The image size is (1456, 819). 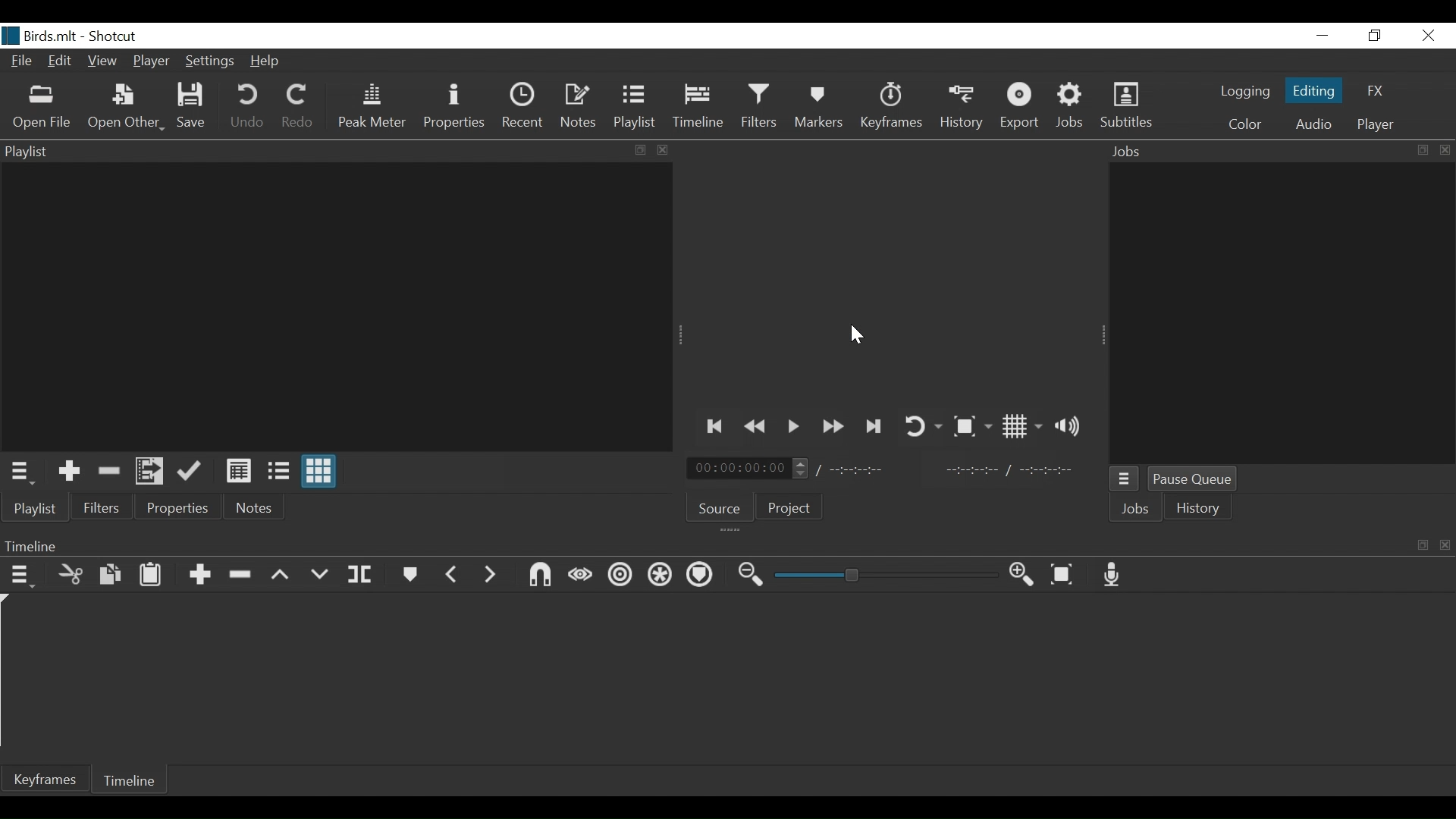 I want to click on Snap, so click(x=539, y=575).